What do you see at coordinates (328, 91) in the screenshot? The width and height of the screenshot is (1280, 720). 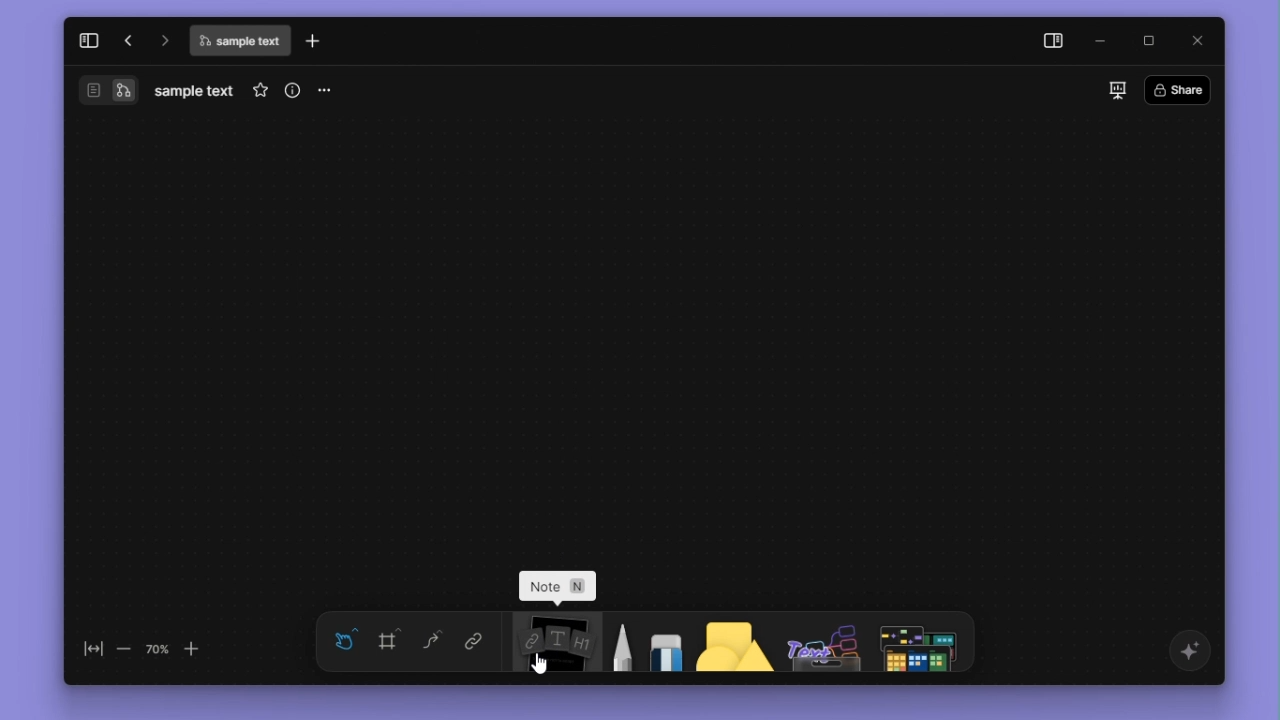 I see `more options` at bounding box center [328, 91].